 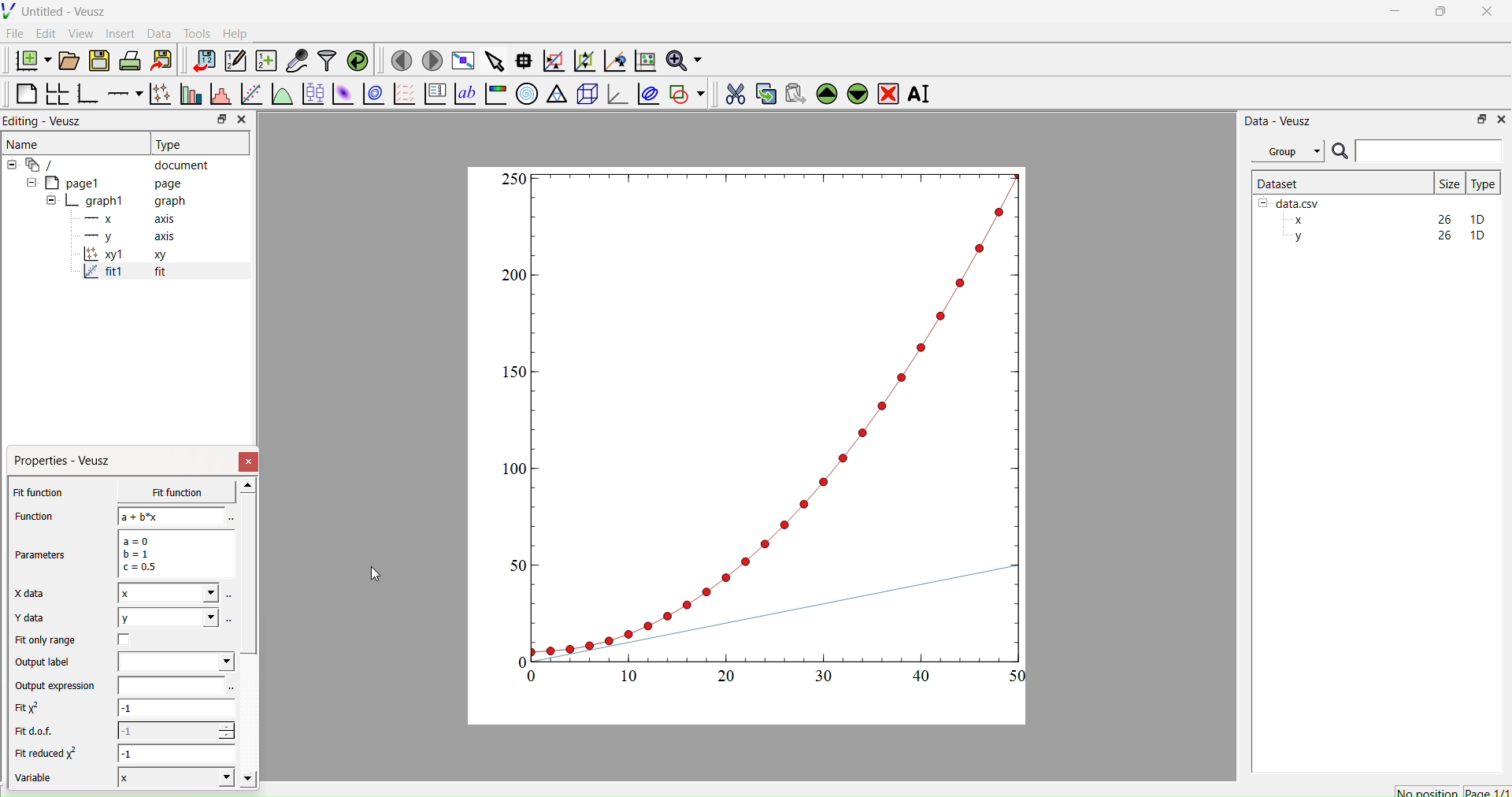 I want to click on Create a new dataset, so click(x=265, y=61).